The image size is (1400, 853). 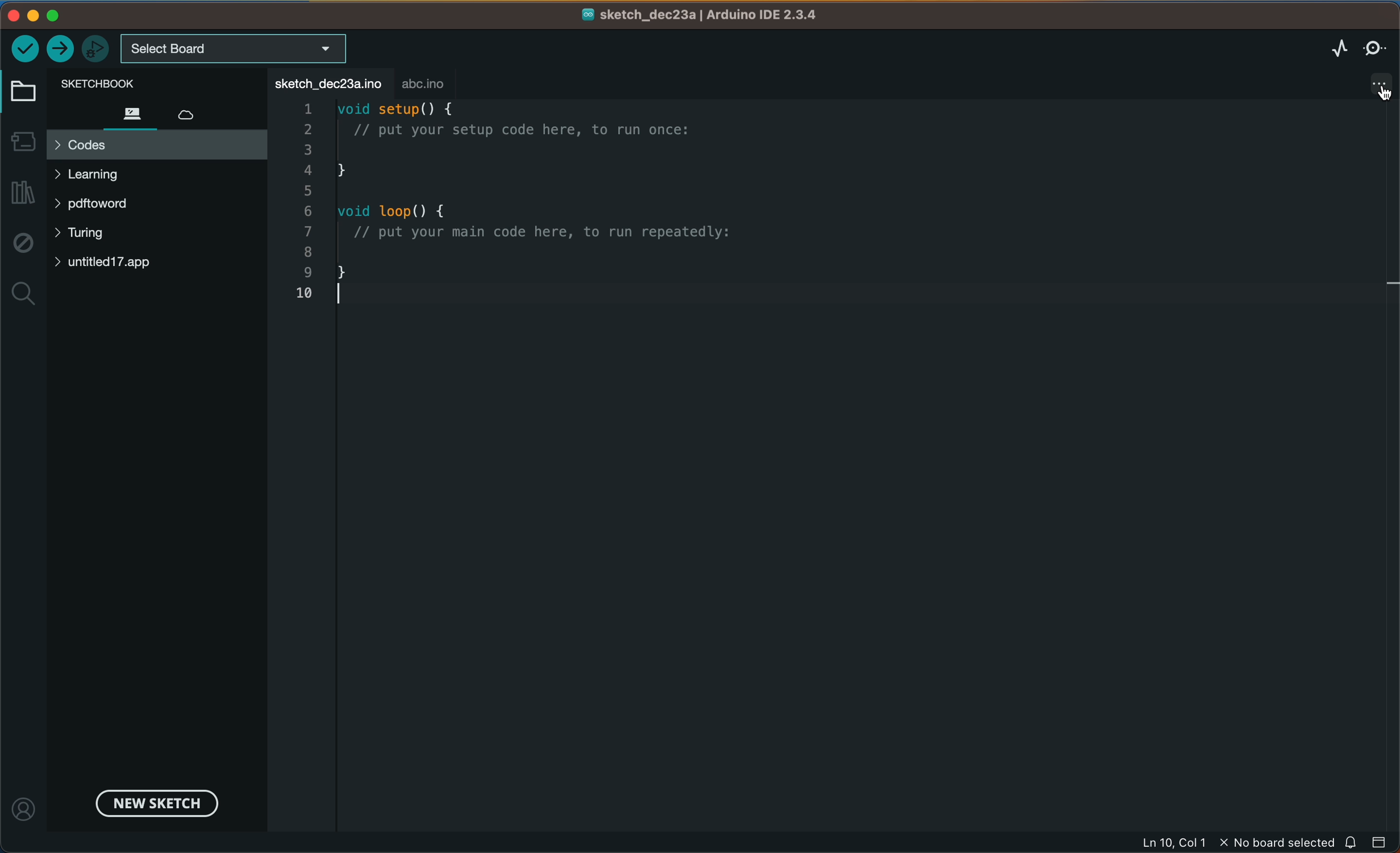 What do you see at coordinates (21, 142) in the screenshot?
I see `board manager` at bounding box center [21, 142].